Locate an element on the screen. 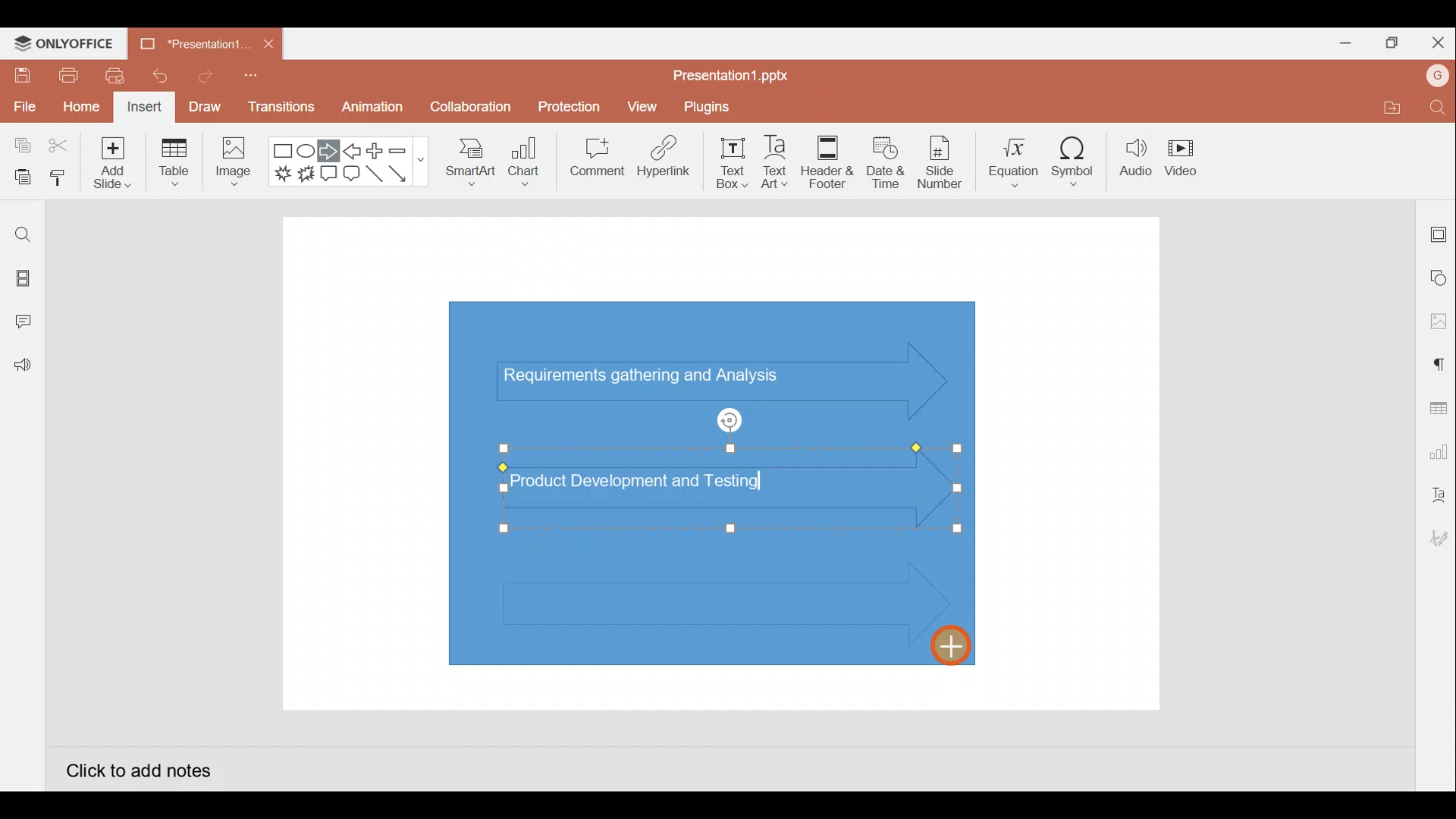  Feedback and Support is located at coordinates (22, 369).